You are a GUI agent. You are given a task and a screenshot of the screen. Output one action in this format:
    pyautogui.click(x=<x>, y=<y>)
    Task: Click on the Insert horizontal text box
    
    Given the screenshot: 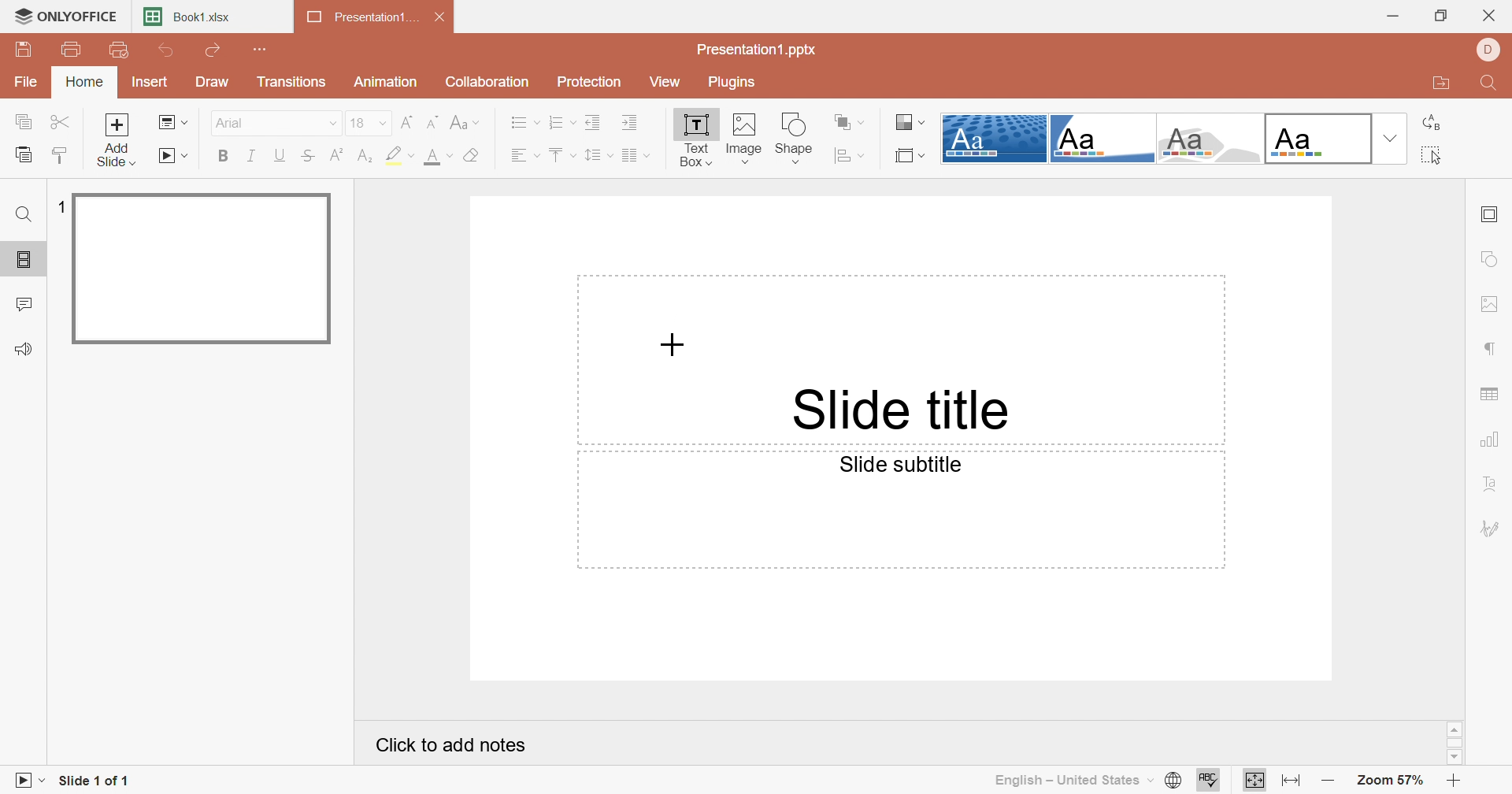 What is the action you would take?
    pyautogui.click(x=797, y=154)
    